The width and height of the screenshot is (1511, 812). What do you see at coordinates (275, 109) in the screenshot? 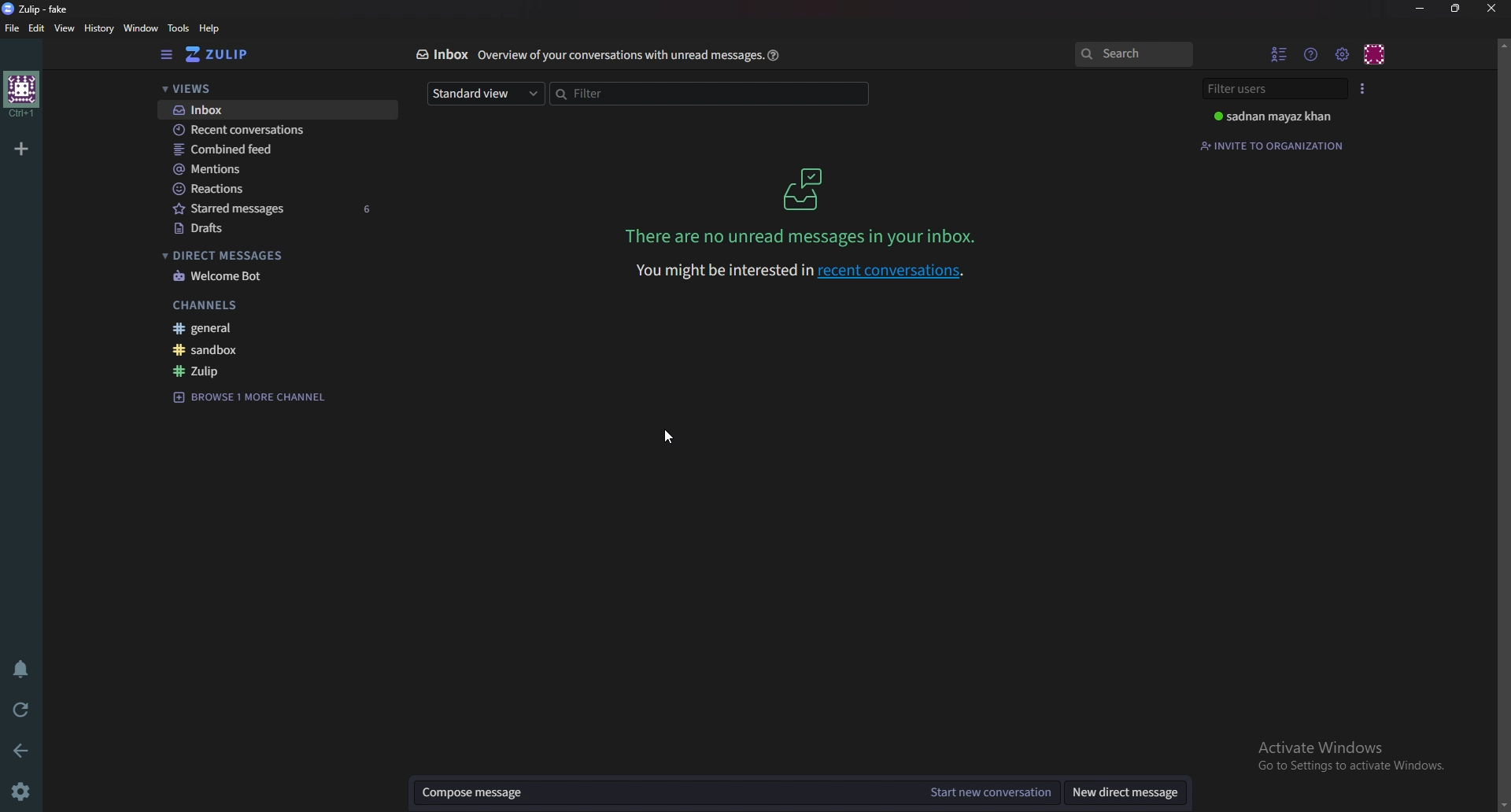
I see `Inbox` at bounding box center [275, 109].